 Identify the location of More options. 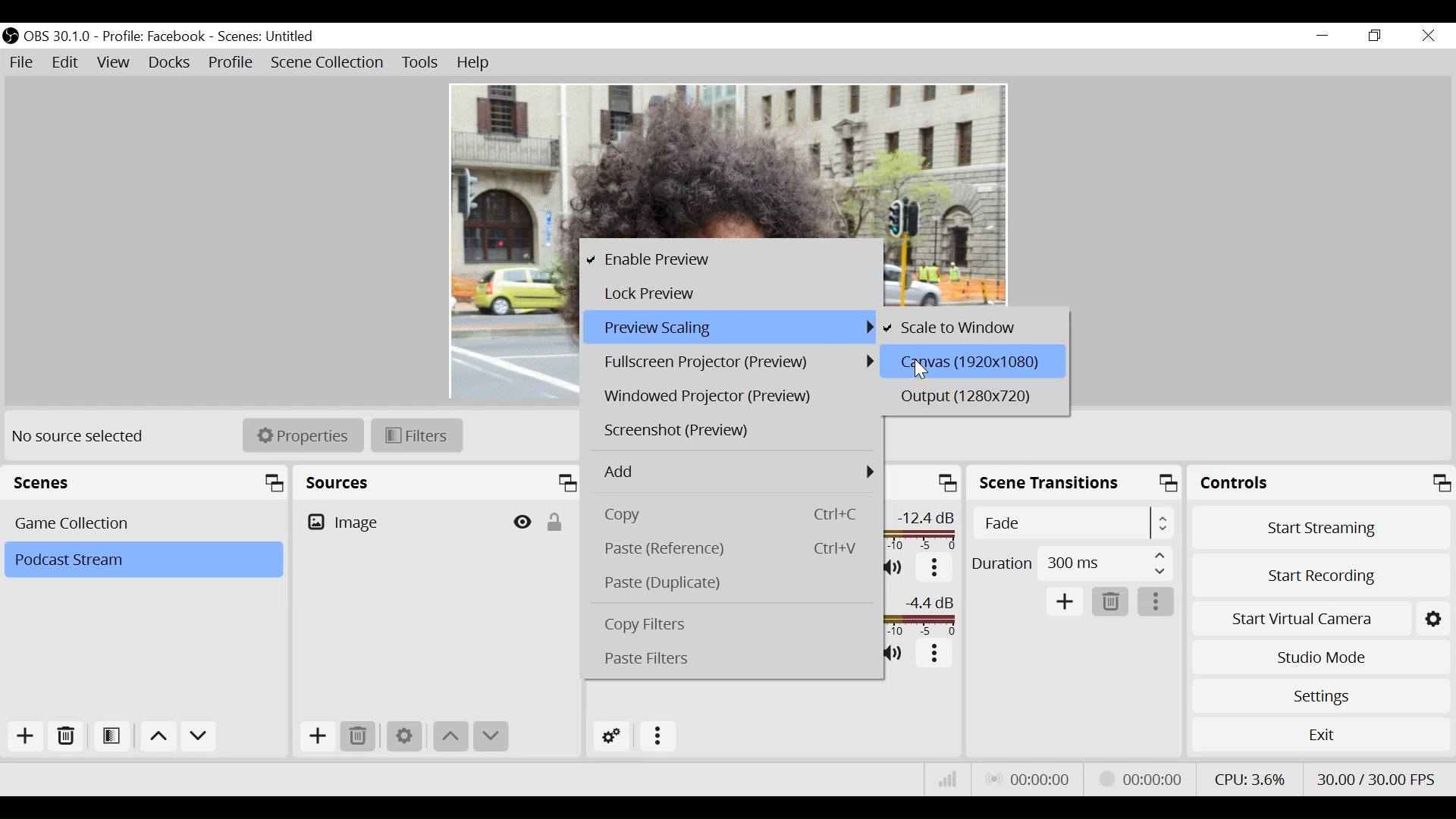
(935, 654).